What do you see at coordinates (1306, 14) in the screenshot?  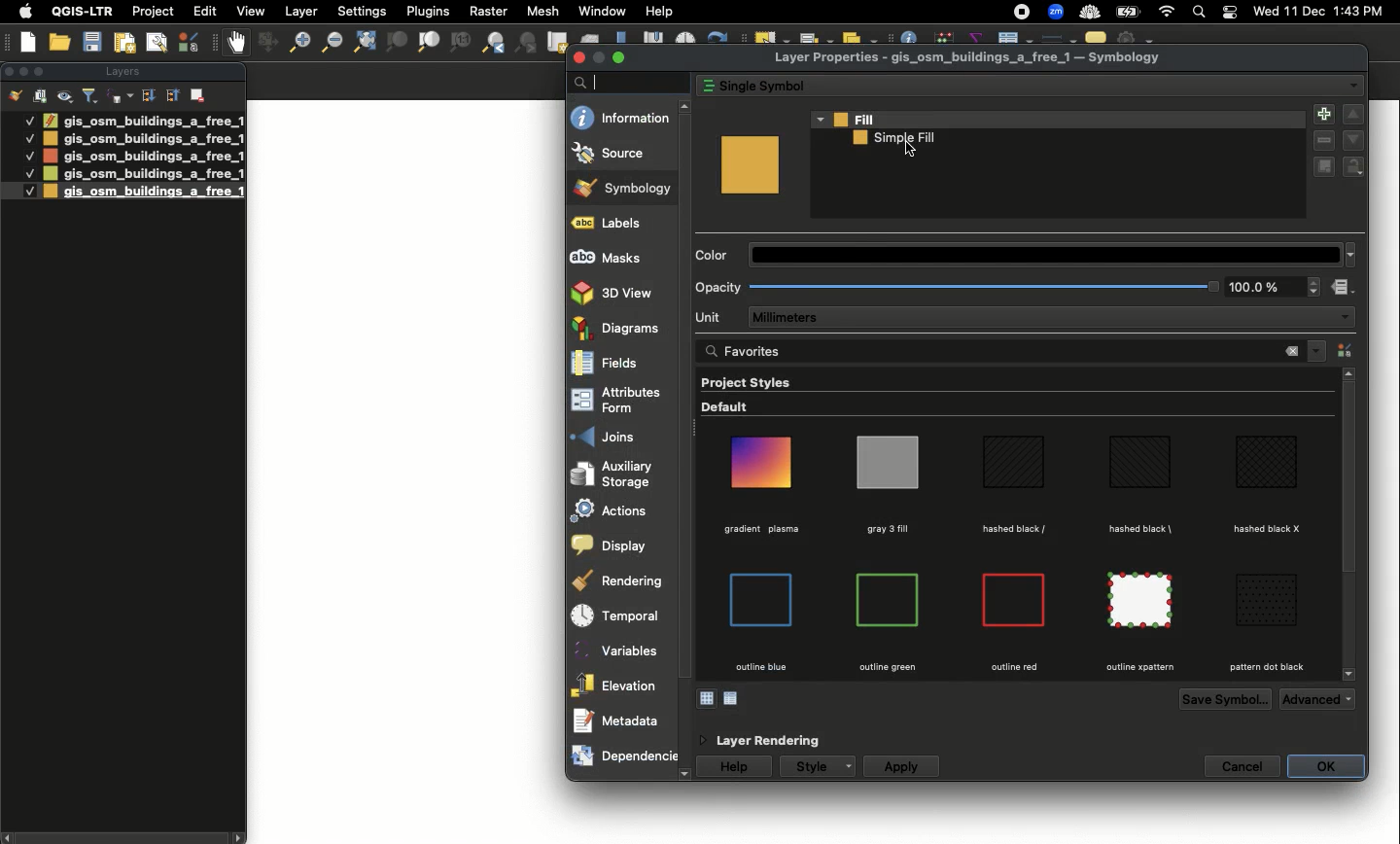 I see `11 Dec` at bounding box center [1306, 14].